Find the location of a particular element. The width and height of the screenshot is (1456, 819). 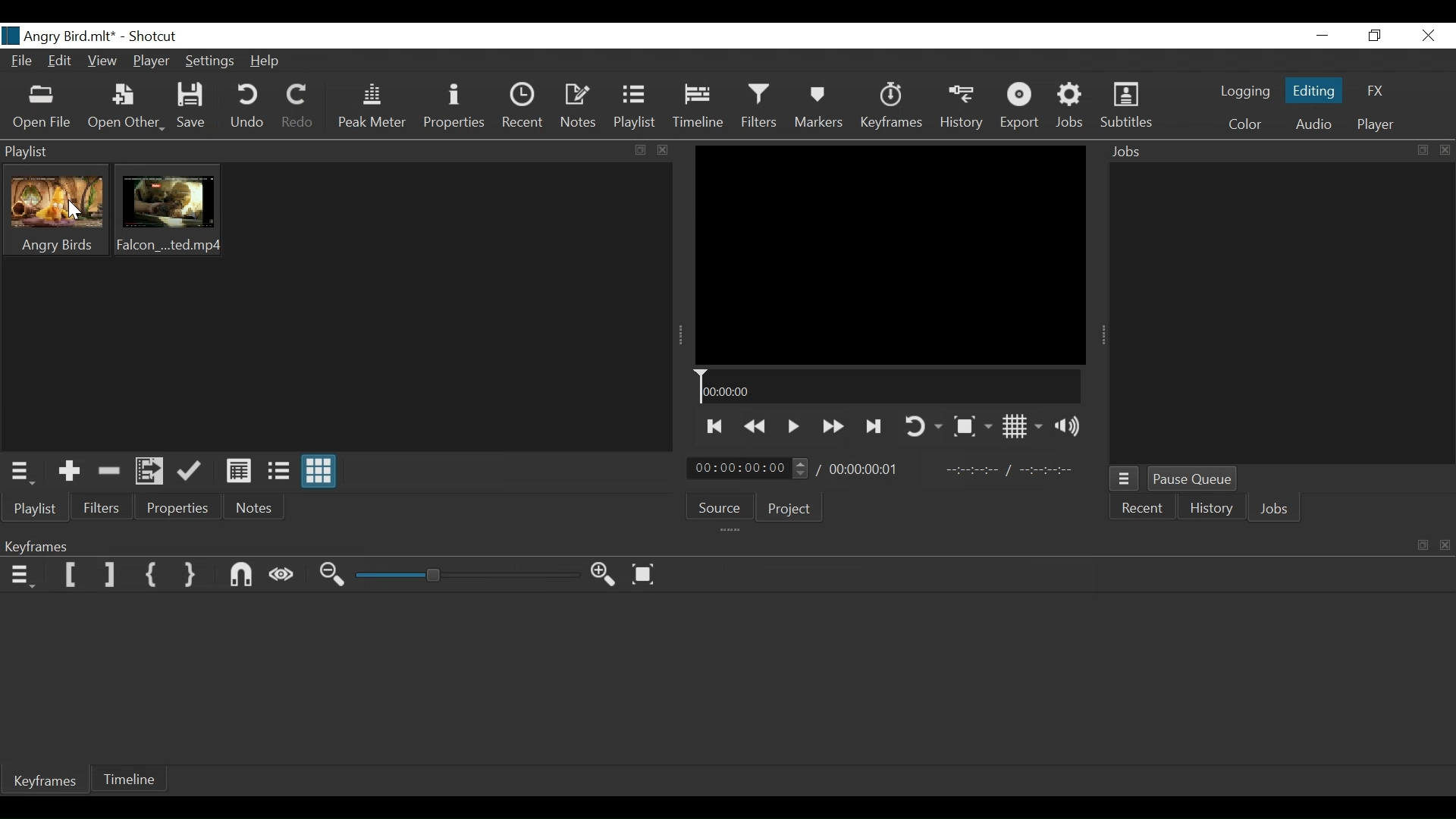

Show volume control is located at coordinates (1070, 428).